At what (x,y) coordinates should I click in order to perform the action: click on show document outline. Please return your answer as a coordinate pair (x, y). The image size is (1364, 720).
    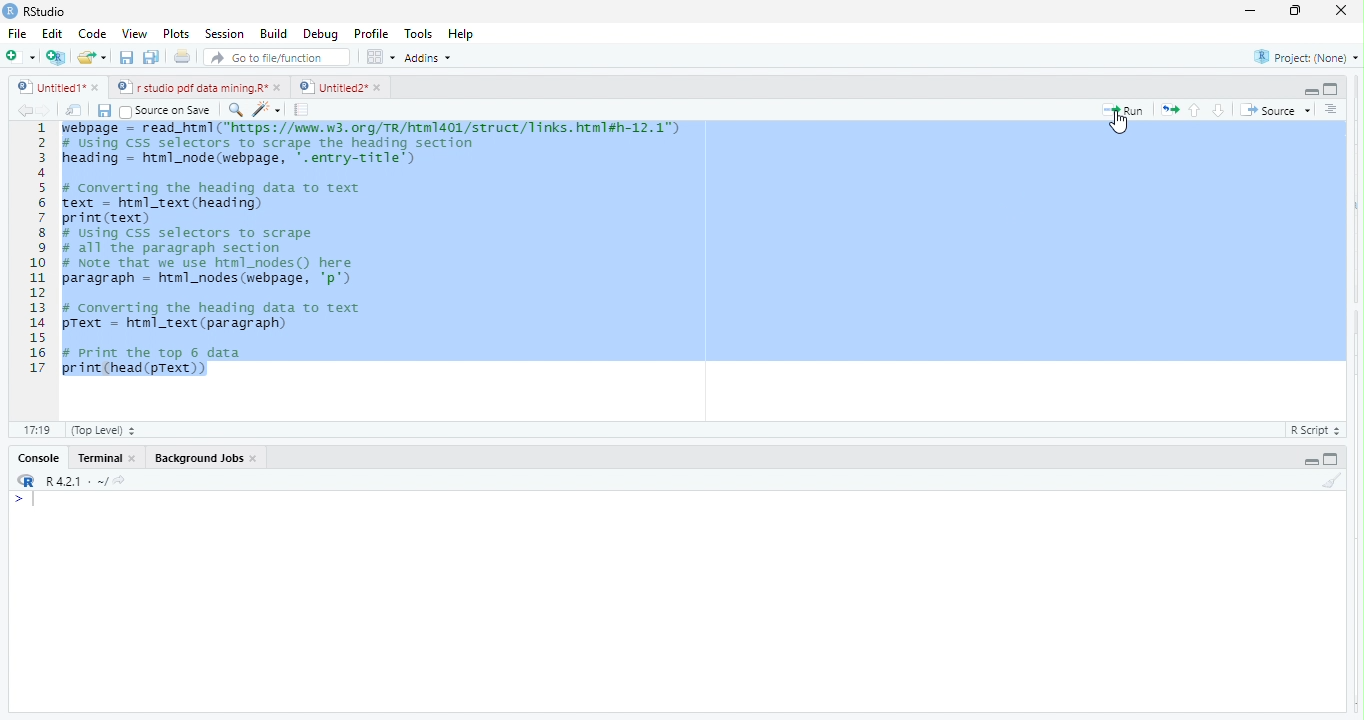
    Looking at the image, I should click on (1332, 109).